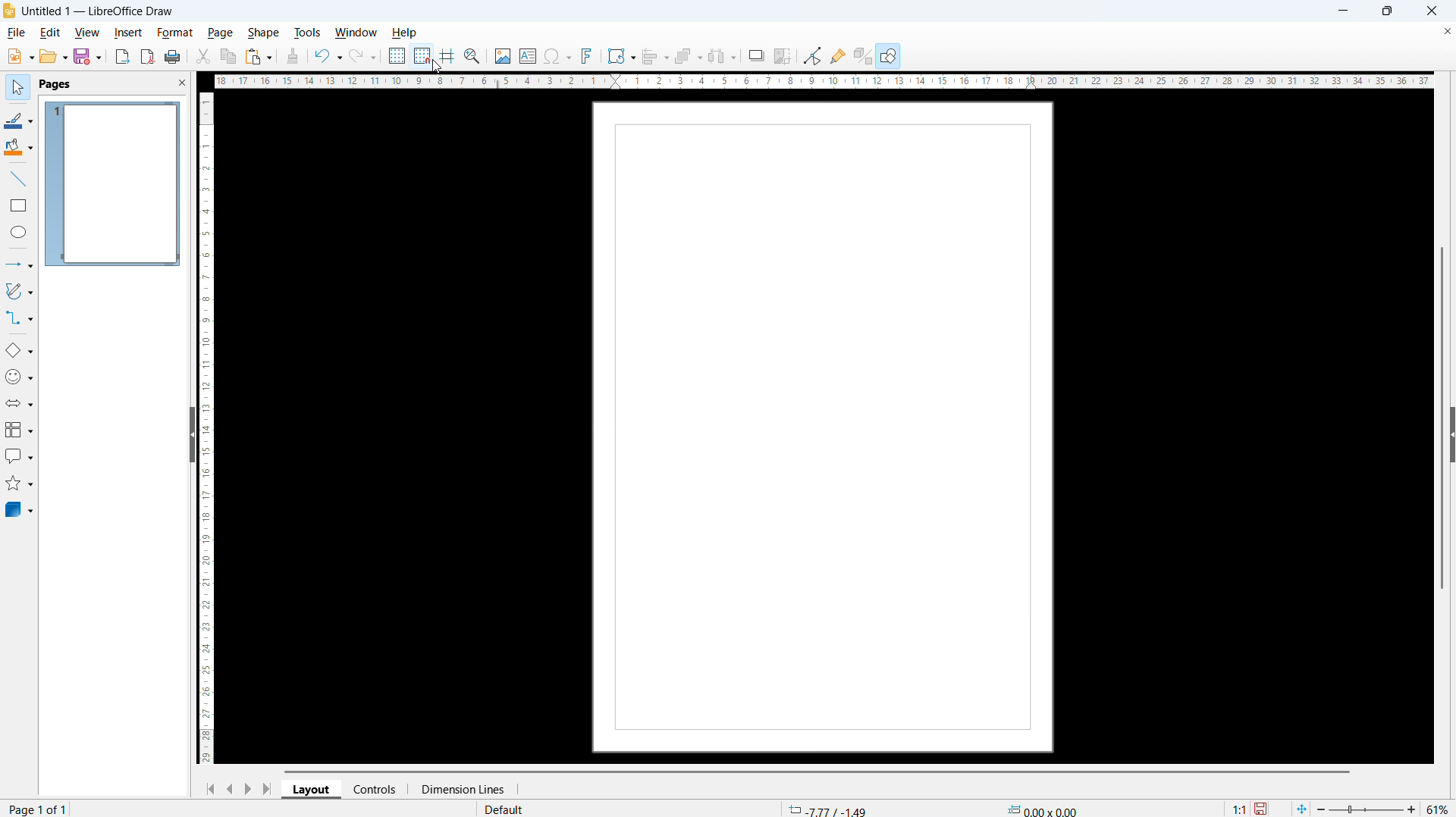 The width and height of the screenshot is (1456, 817). What do you see at coordinates (817, 772) in the screenshot?
I see `Horizontal scroll bar ` at bounding box center [817, 772].